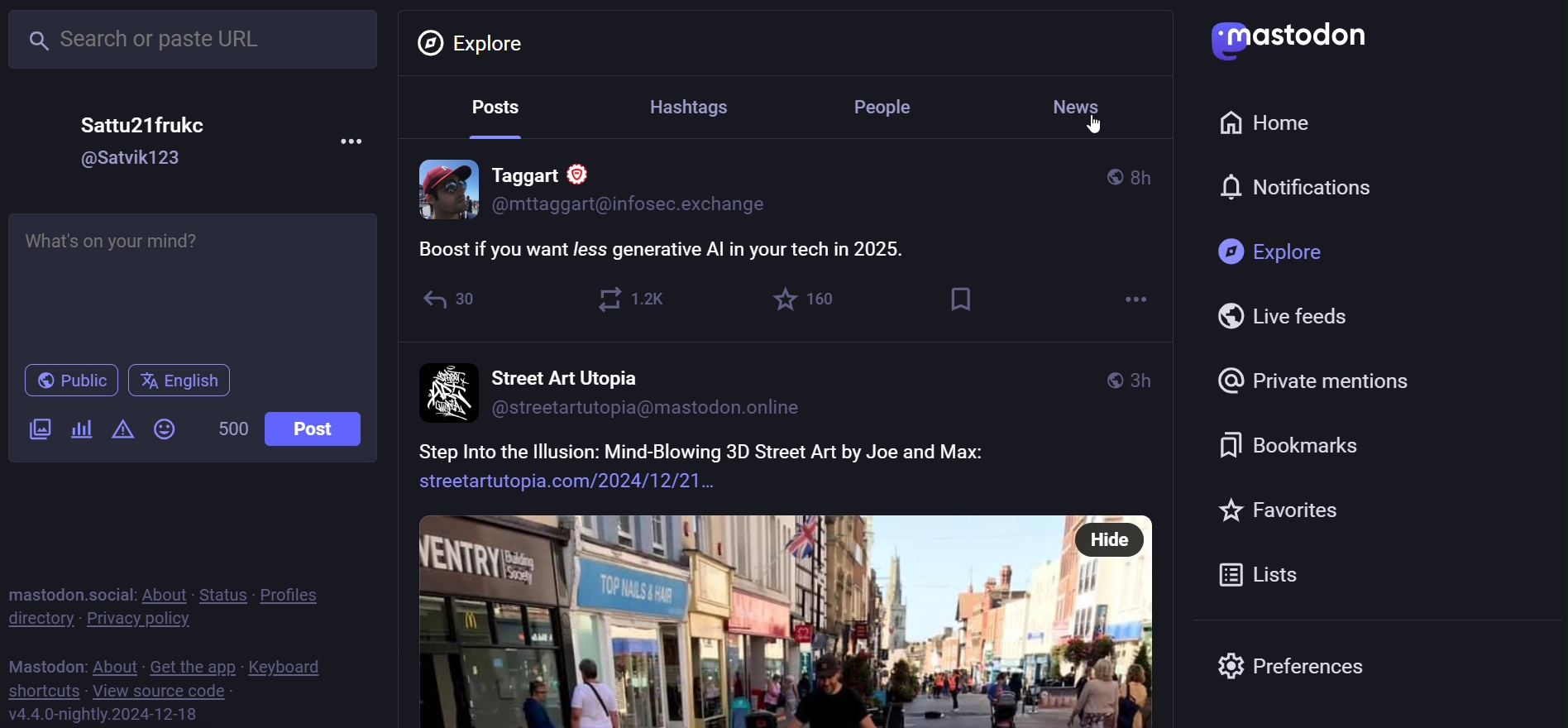  Describe the element at coordinates (662, 414) in the screenshot. I see `@streetartutopia@mastodon.online` at that location.